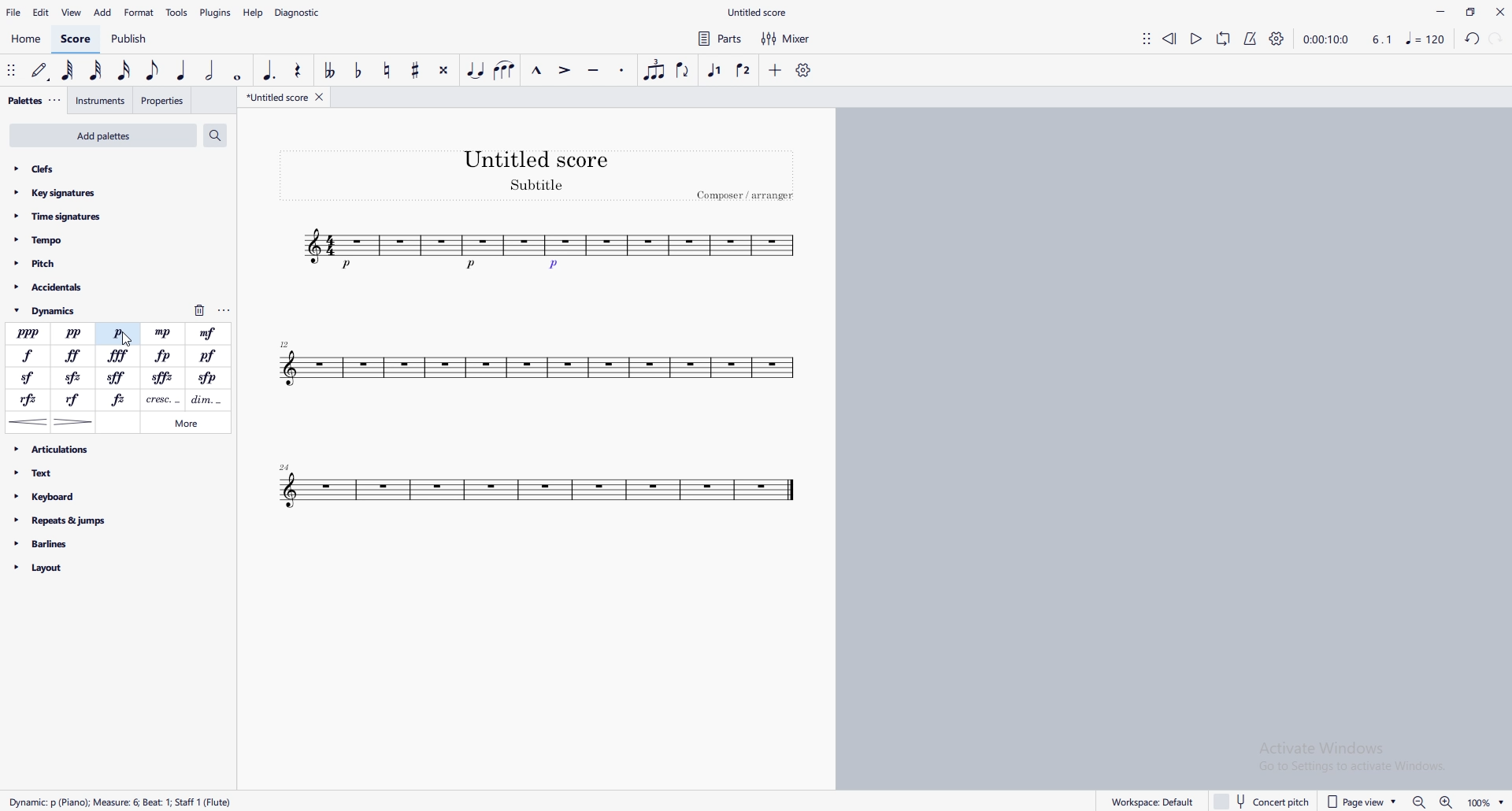 The image size is (1512, 811). Describe the element at coordinates (139, 13) in the screenshot. I see `format` at that location.